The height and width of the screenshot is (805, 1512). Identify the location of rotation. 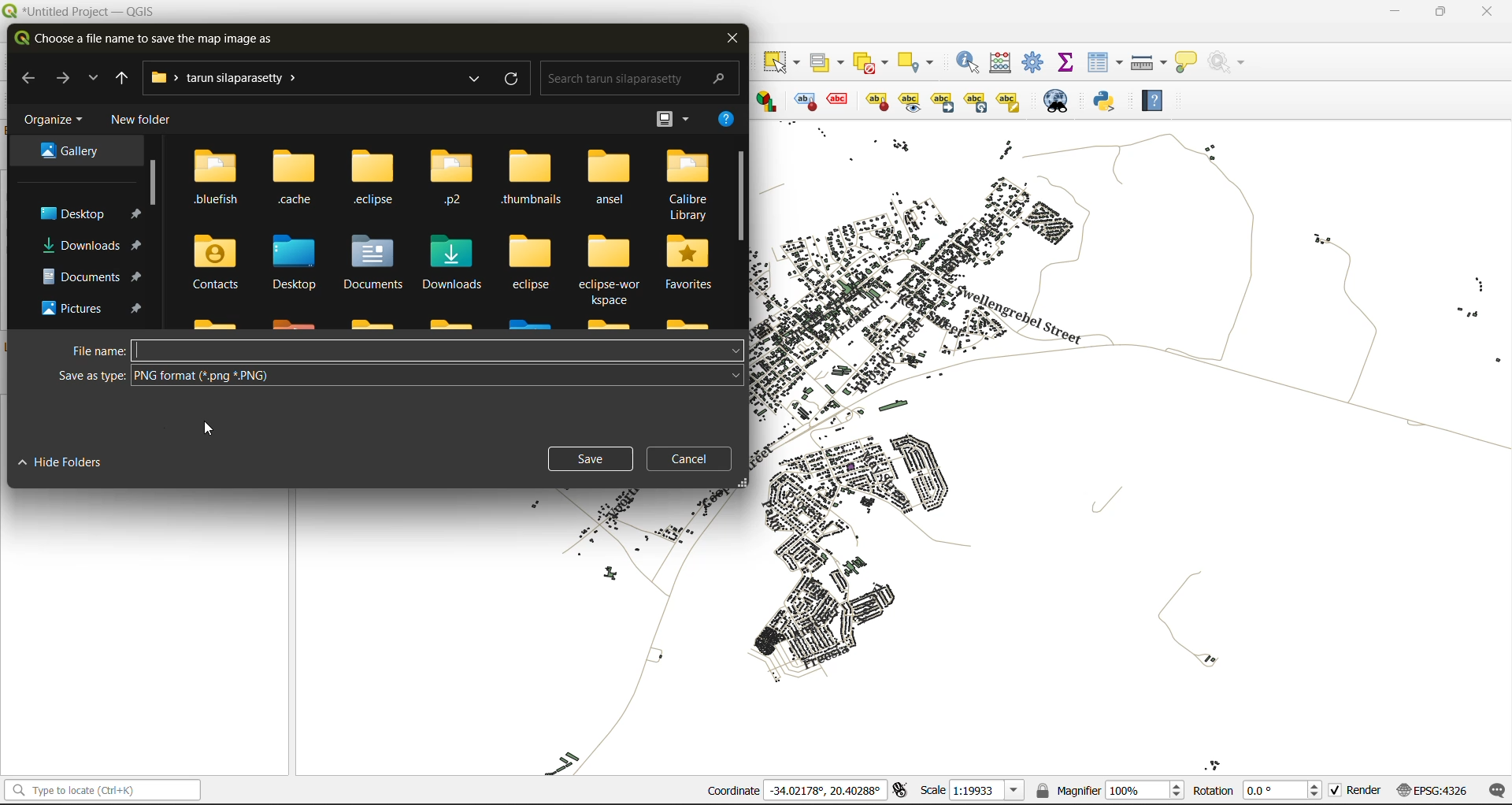
(1258, 789).